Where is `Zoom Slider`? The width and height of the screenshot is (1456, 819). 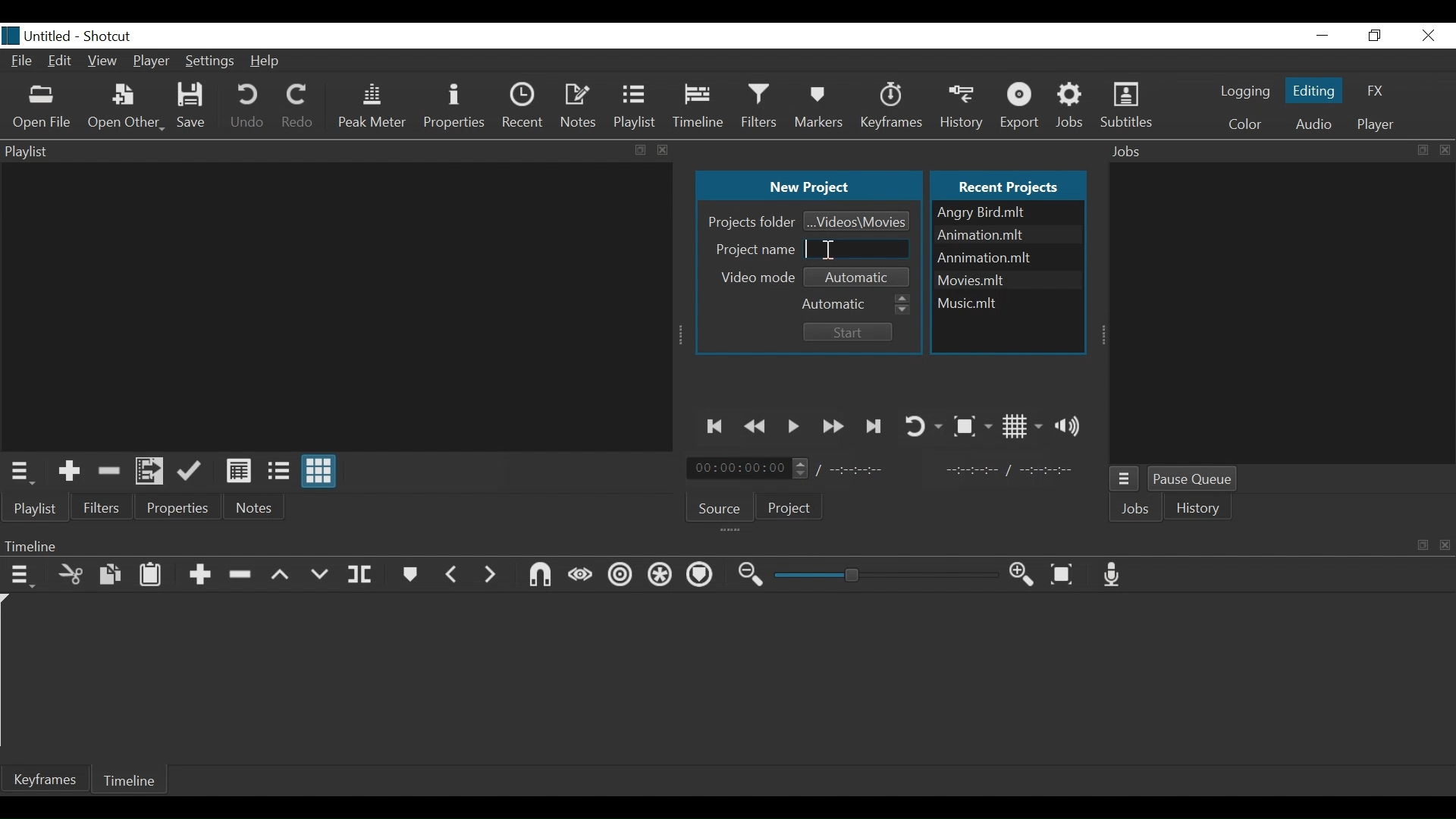
Zoom Slider is located at coordinates (886, 576).